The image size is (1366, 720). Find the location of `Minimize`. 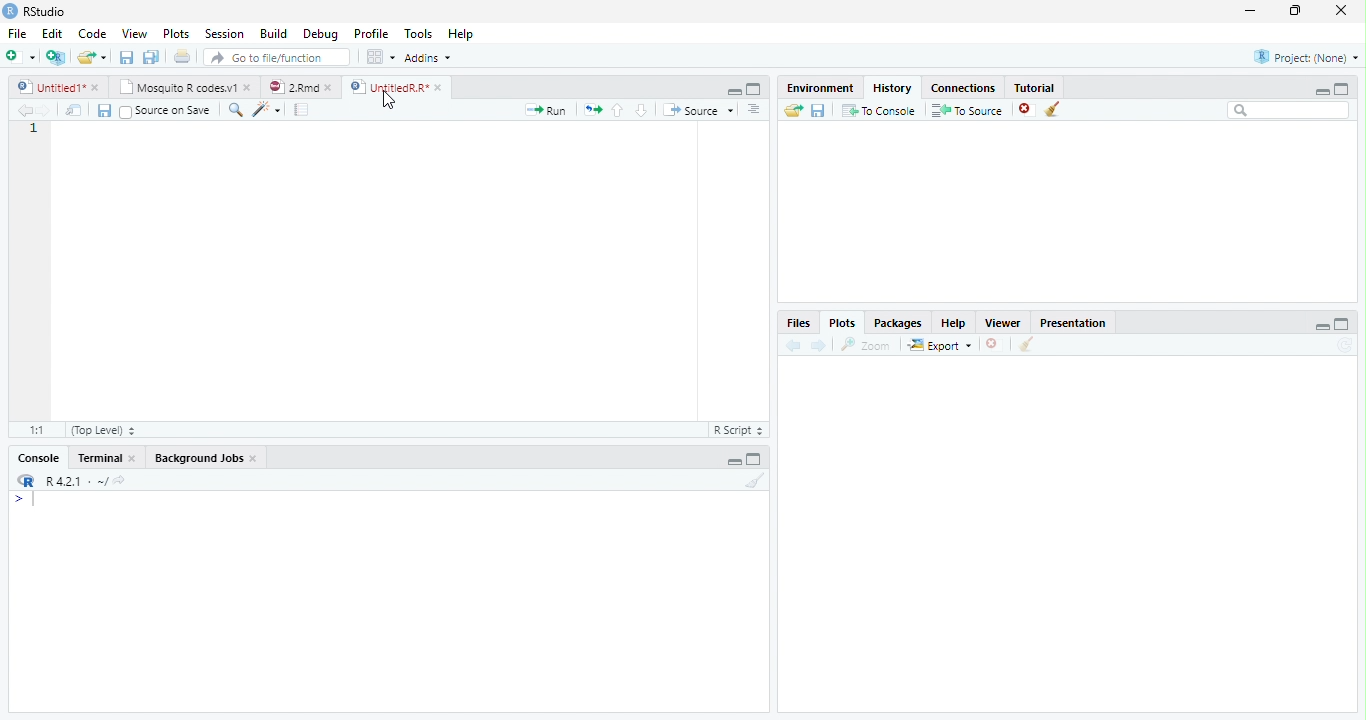

Minimize is located at coordinates (733, 462).